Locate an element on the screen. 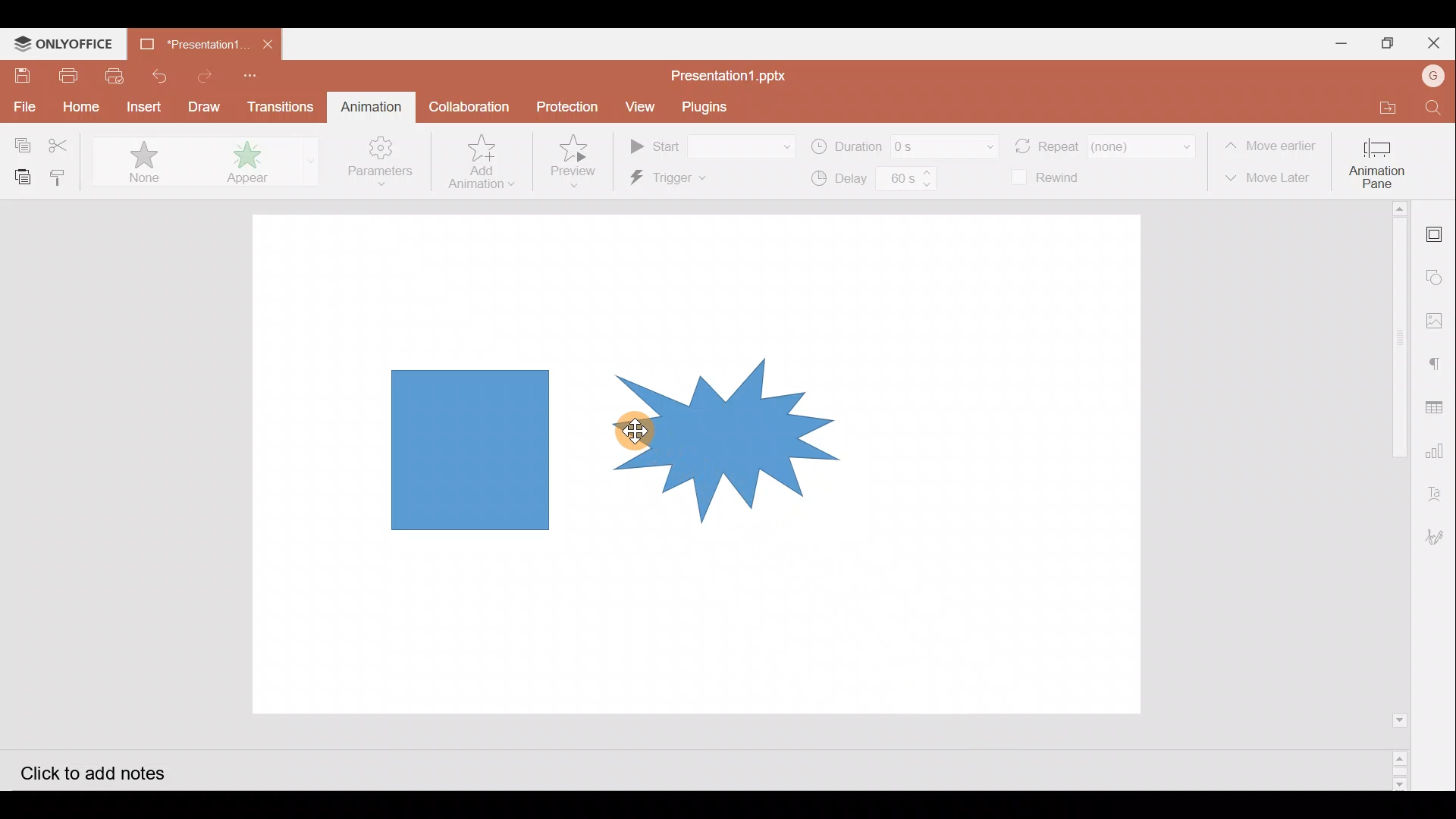 Image resolution: width=1456 pixels, height=819 pixels. Transitions is located at coordinates (281, 106).